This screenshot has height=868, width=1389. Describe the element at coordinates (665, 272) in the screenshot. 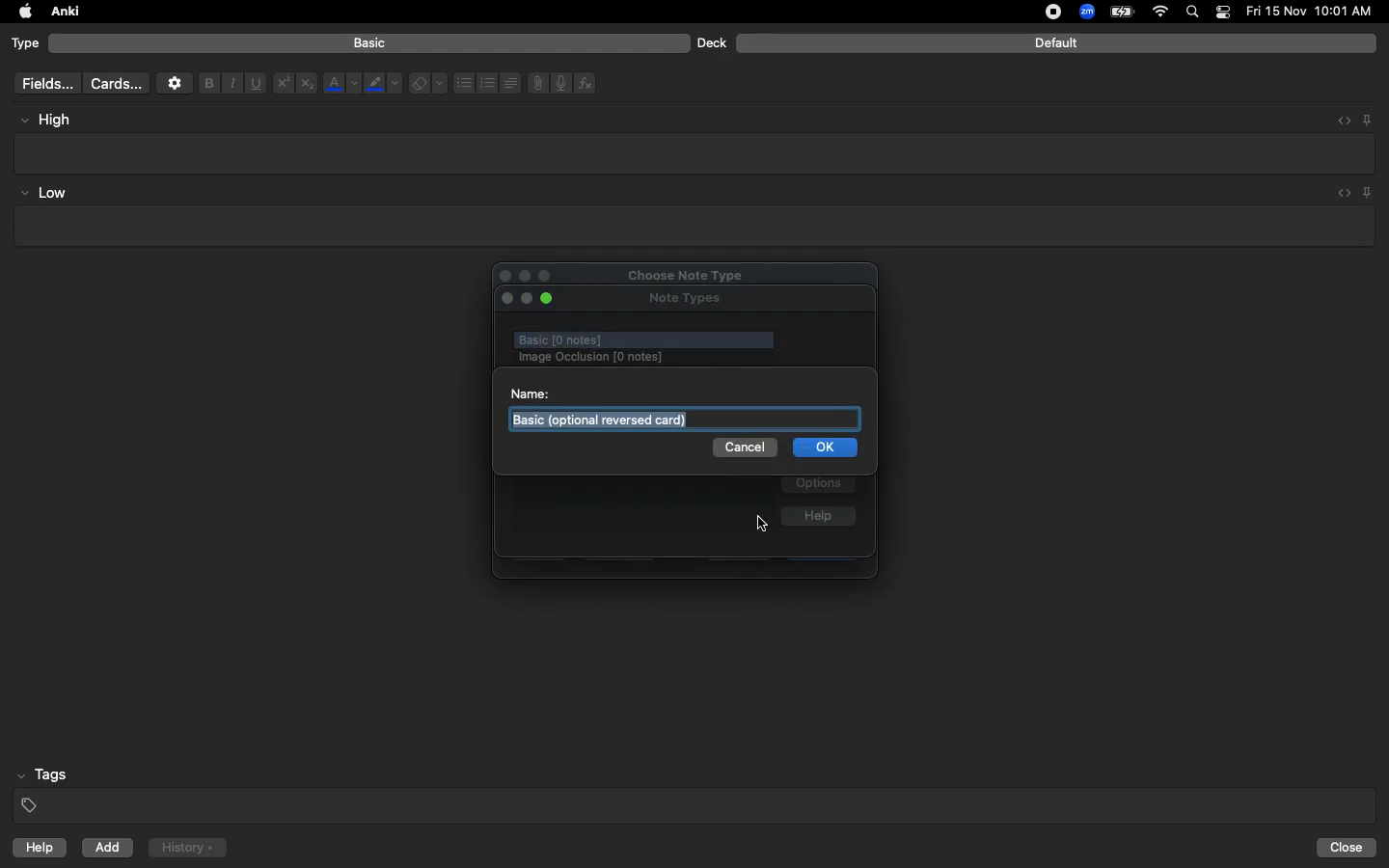

I see `Choose note type` at that location.